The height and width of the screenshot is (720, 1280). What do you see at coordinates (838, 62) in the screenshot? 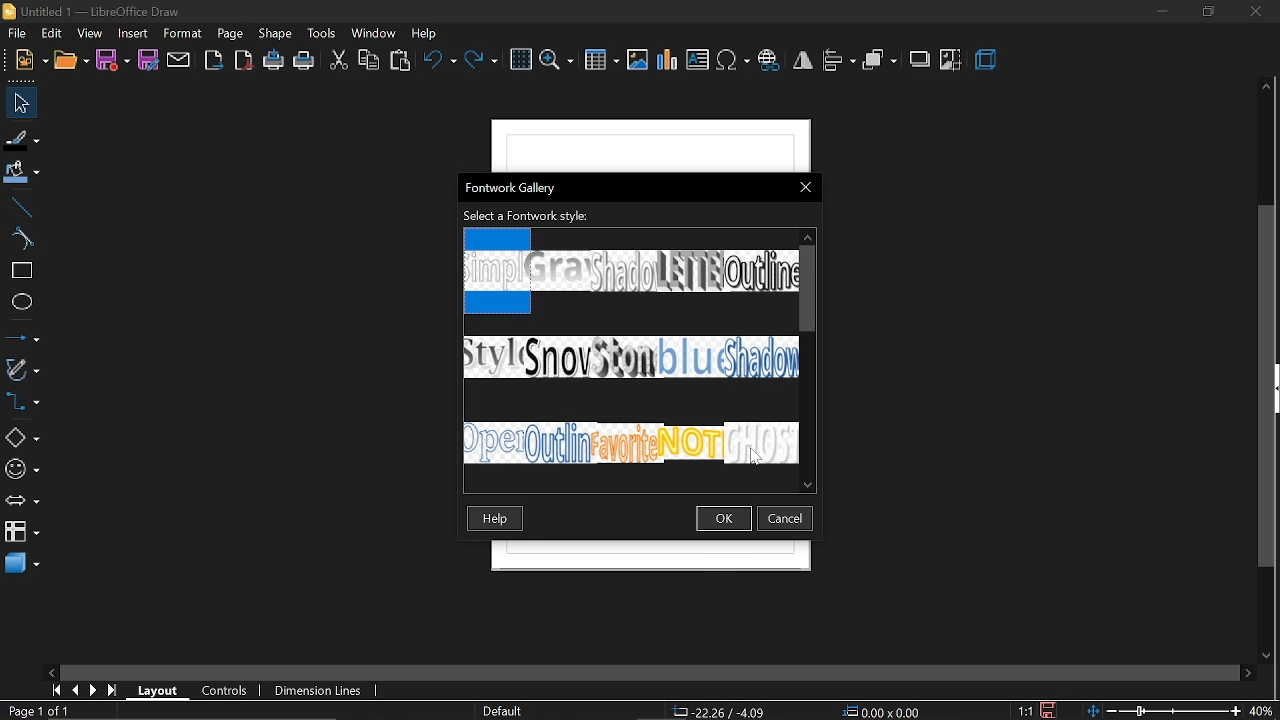
I see `align` at bounding box center [838, 62].